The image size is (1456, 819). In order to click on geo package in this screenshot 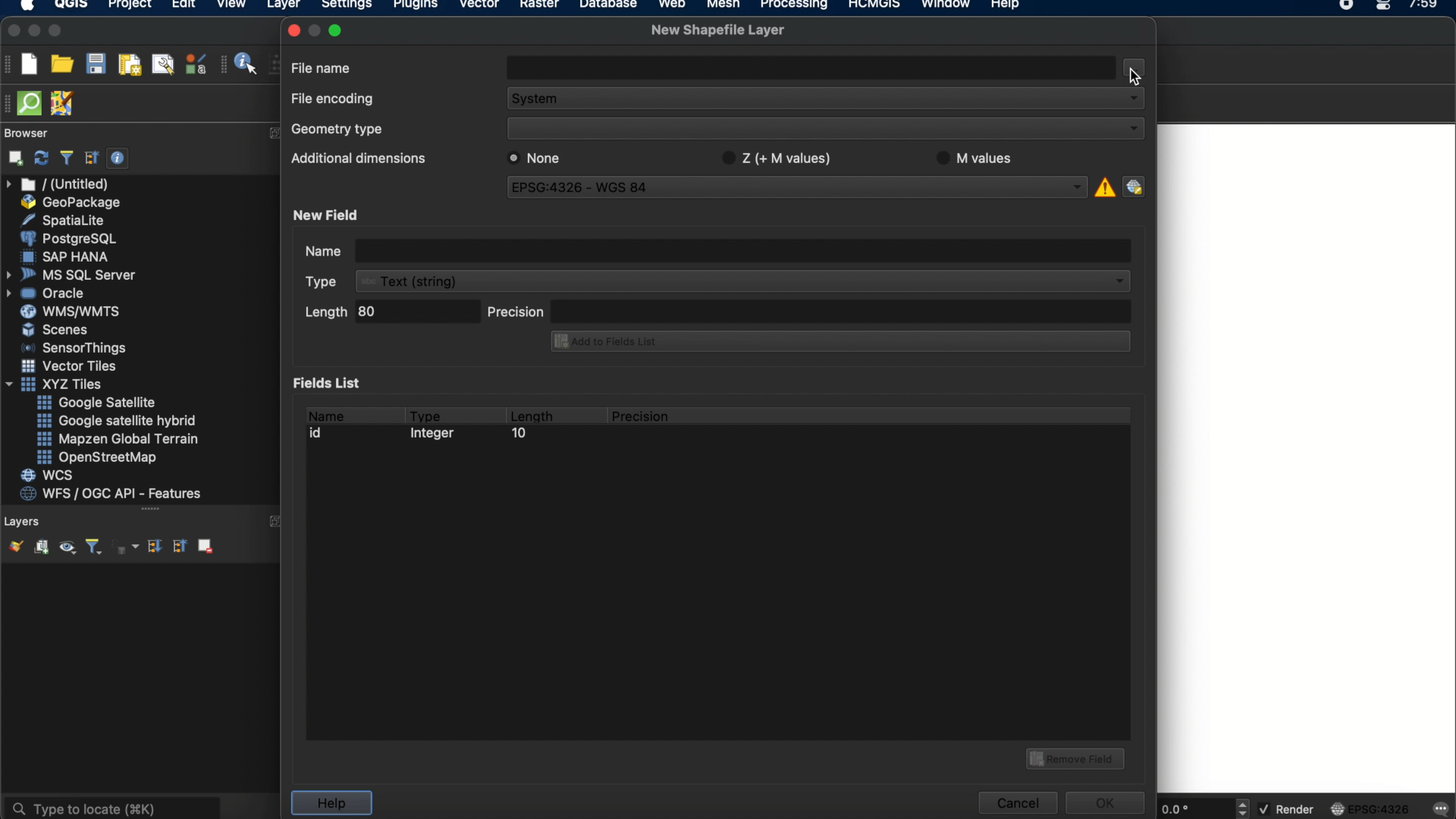, I will do `click(69, 202)`.